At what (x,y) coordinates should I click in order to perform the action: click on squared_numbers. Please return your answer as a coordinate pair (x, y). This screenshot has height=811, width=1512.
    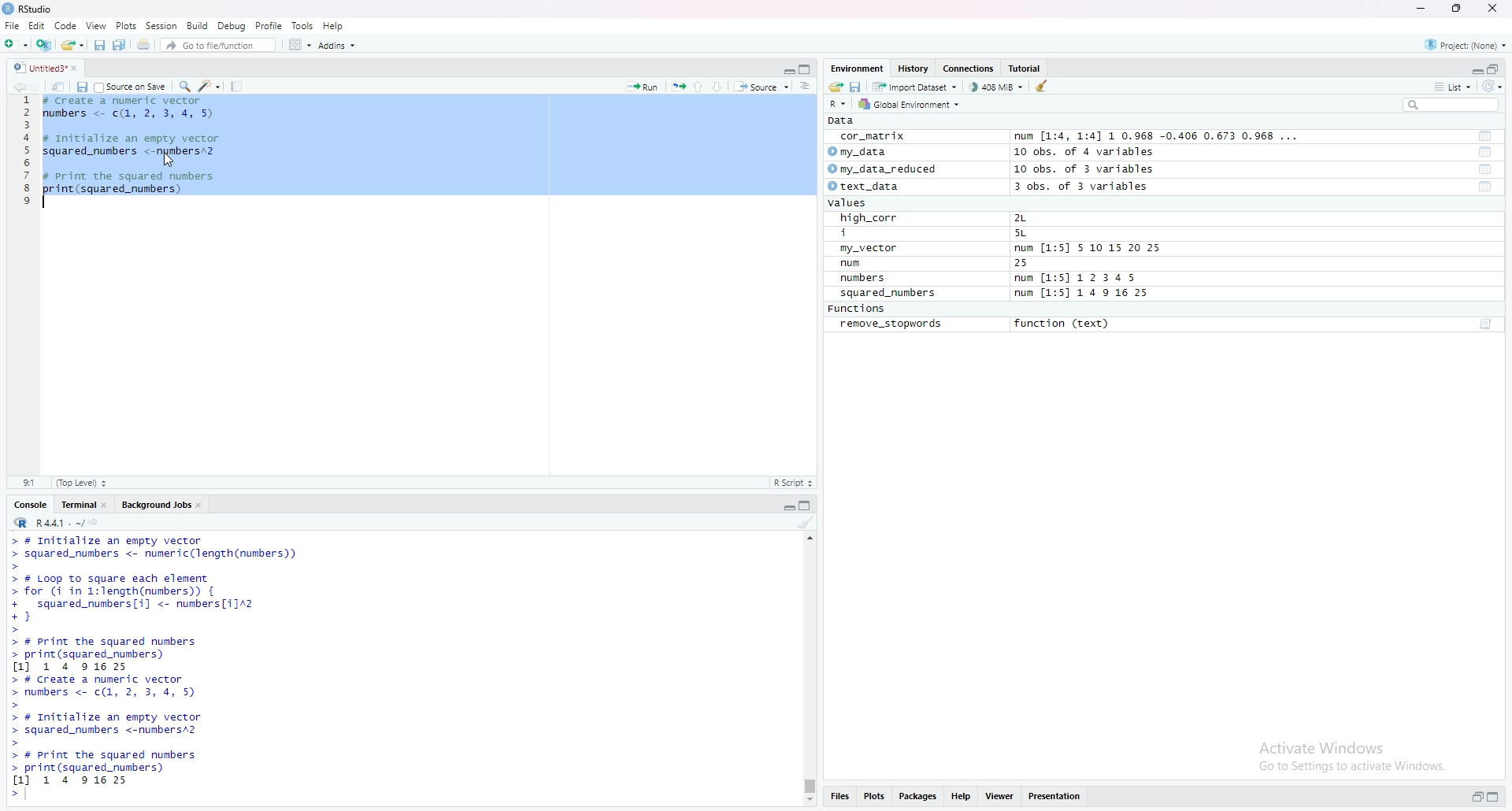
    Looking at the image, I should click on (889, 295).